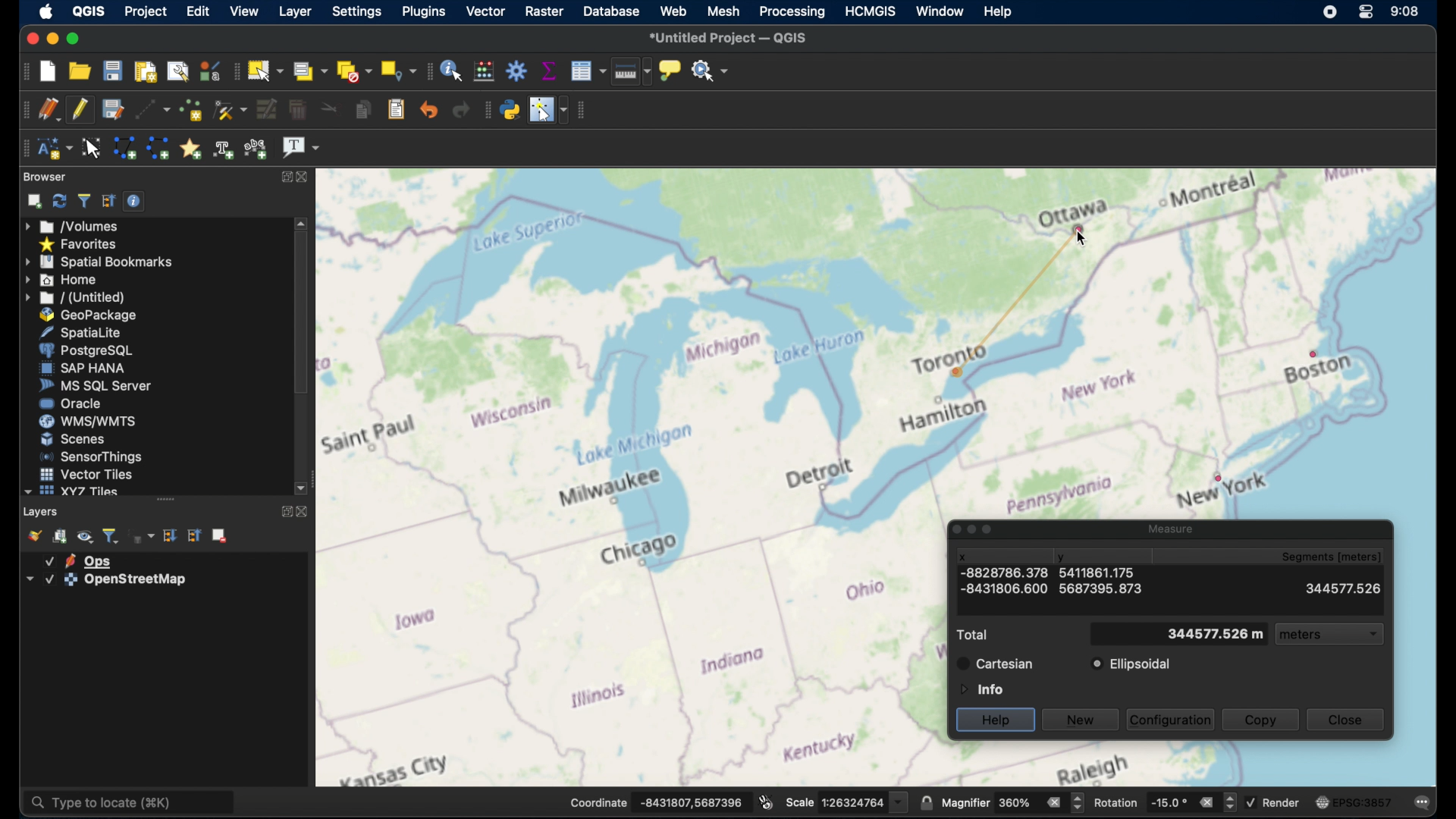 The height and width of the screenshot is (819, 1456). What do you see at coordinates (1329, 12) in the screenshot?
I see `screen recorder icon` at bounding box center [1329, 12].